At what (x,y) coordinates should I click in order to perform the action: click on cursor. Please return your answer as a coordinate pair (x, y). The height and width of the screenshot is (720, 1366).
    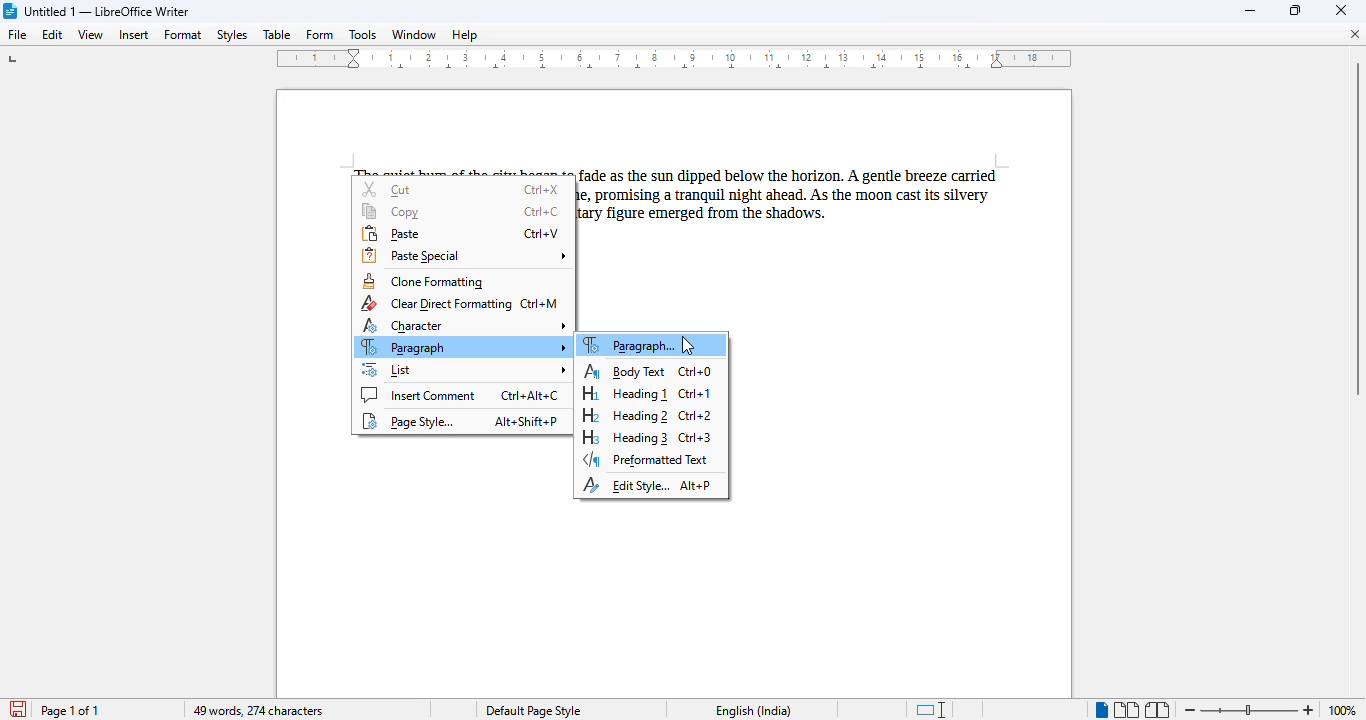
    Looking at the image, I should click on (688, 346).